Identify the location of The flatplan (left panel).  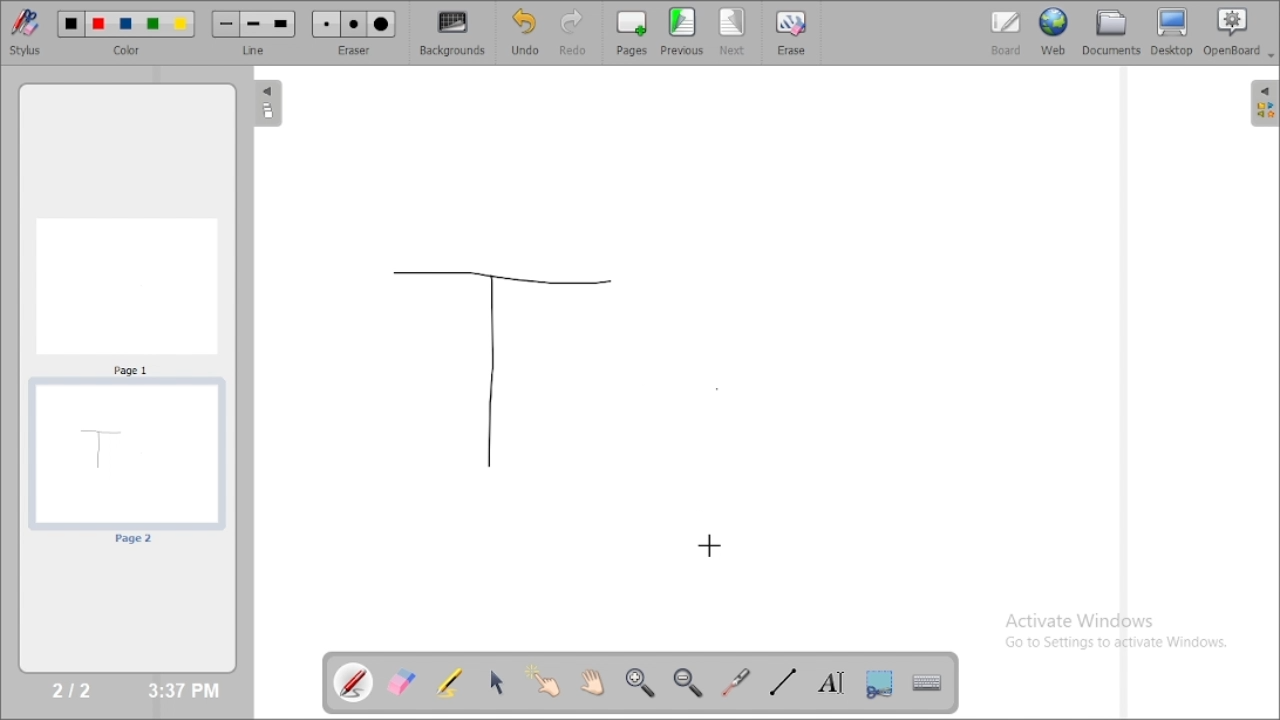
(266, 105).